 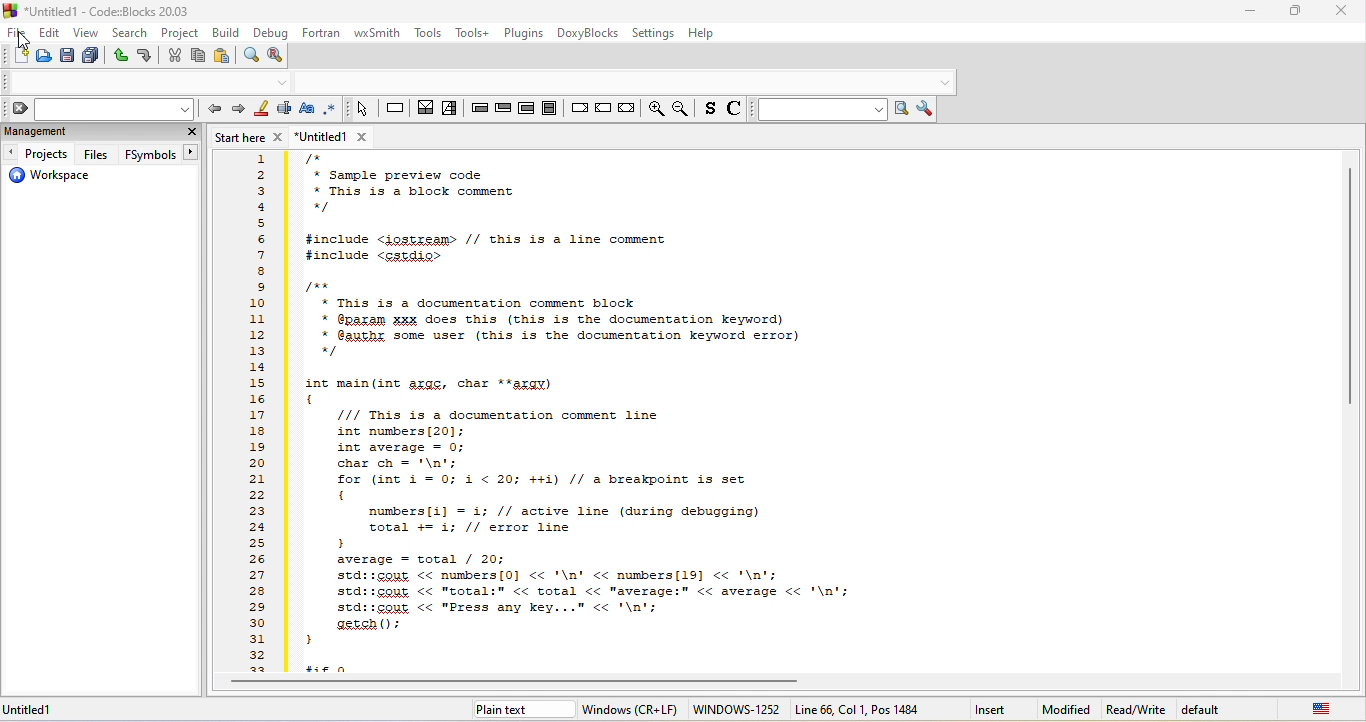 What do you see at coordinates (683, 109) in the screenshot?
I see `zoom out` at bounding box center [683, 109].